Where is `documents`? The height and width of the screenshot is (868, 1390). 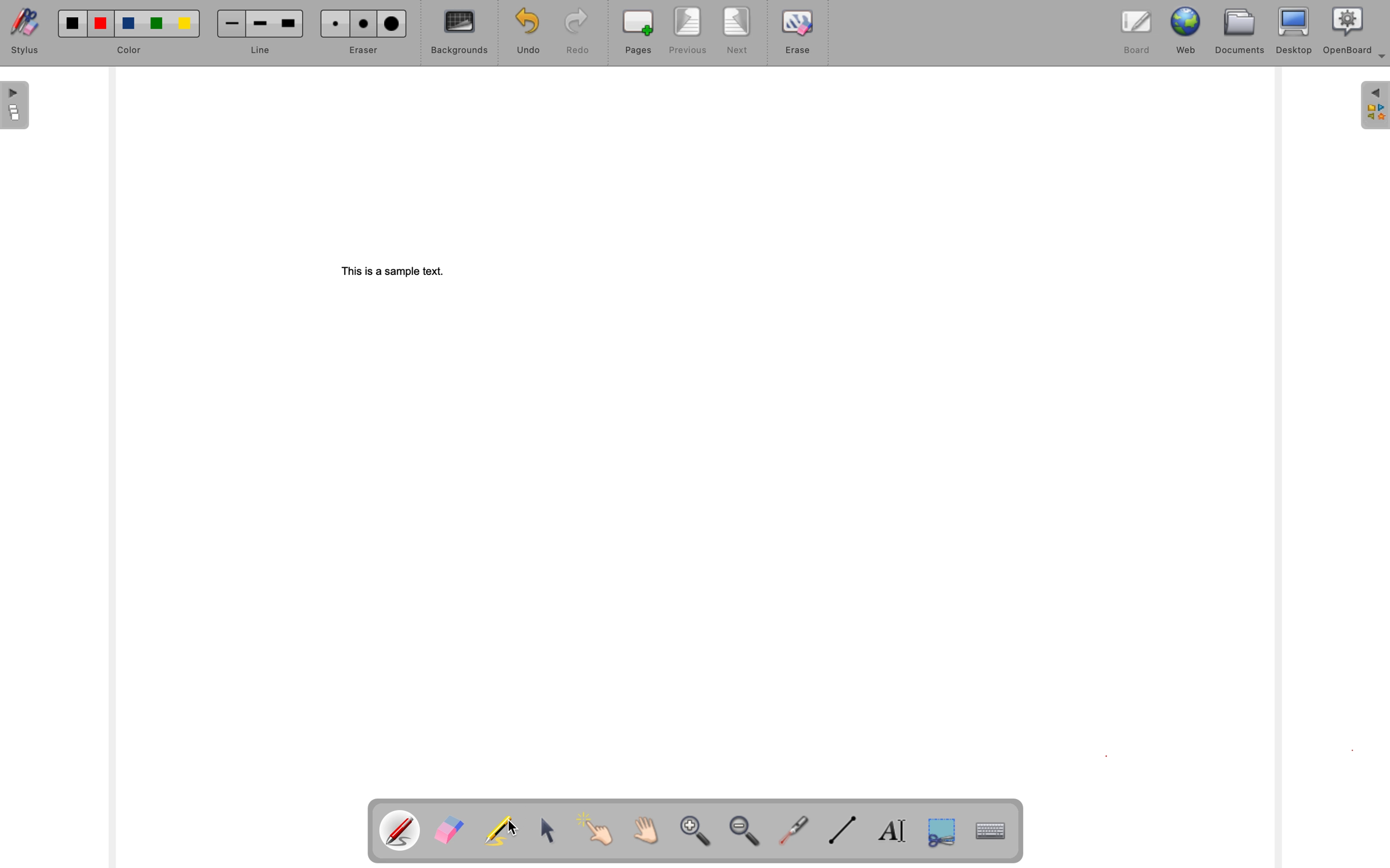 documents is located at coordinates (1240, 33).